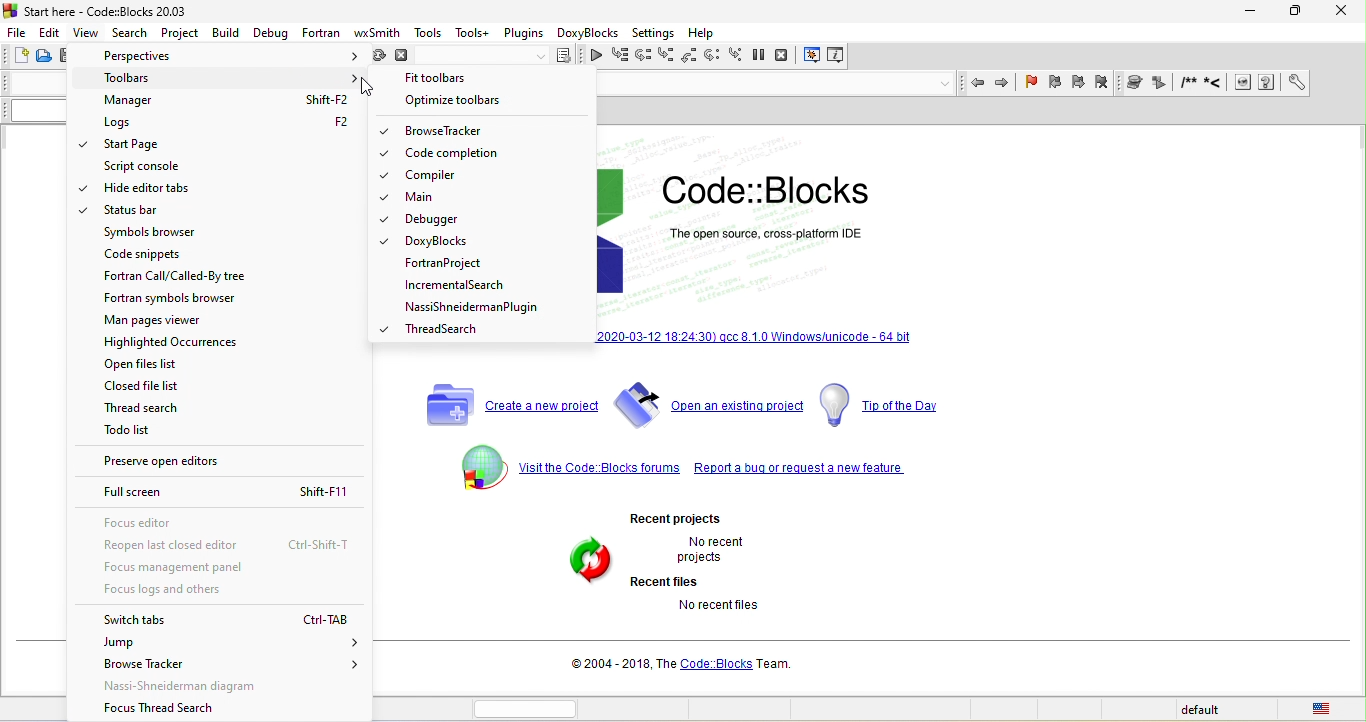 The width and height of the screenshot is (1366, 722). What do you see at coordinates (1077, 84) in the screenshot?
I see `next bookmark` at bounding box center [1077, 84].